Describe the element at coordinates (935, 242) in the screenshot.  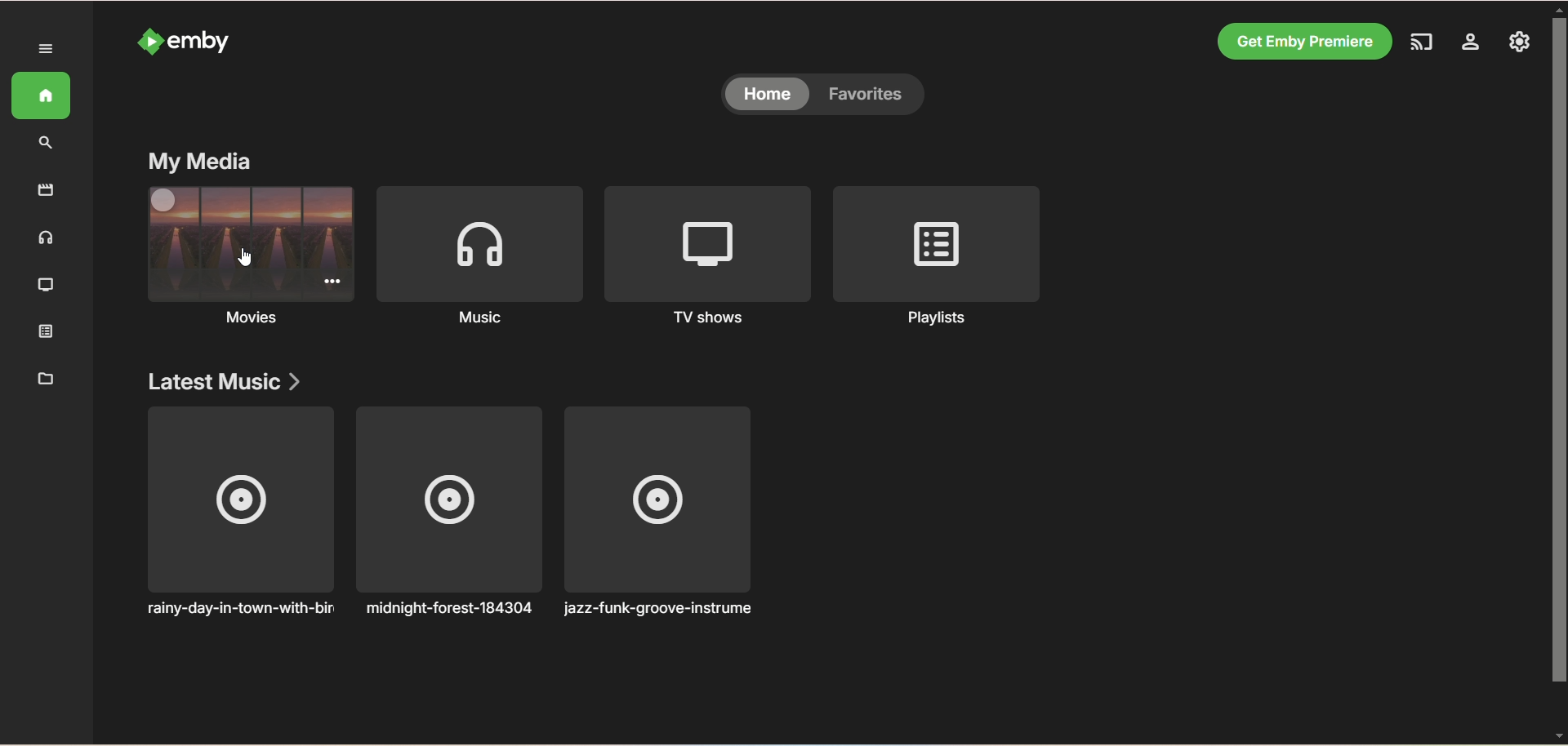
I see `playlists` at that location.